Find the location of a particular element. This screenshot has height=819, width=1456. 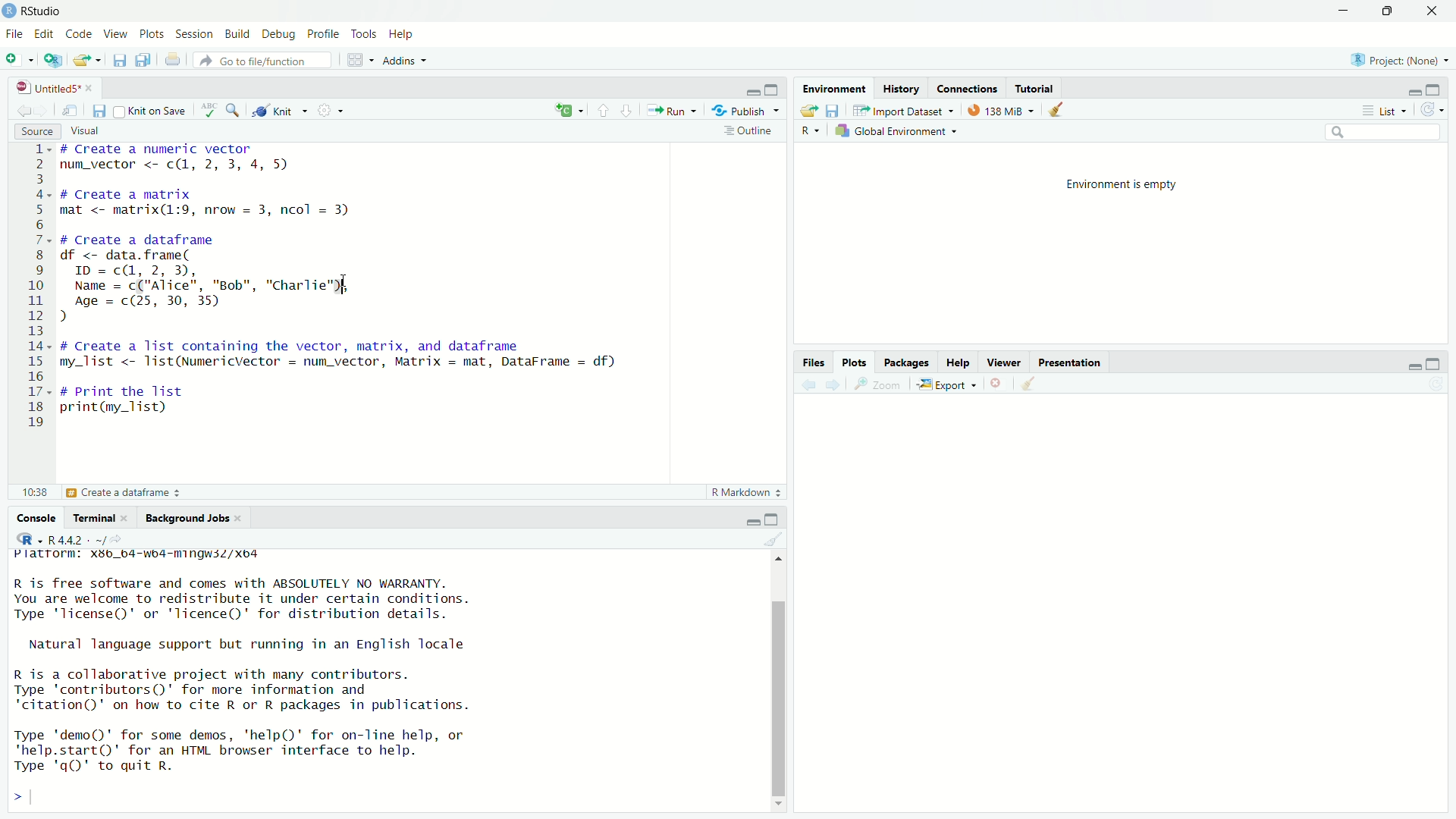

Go to file/function is located at coordinates (253, 60).